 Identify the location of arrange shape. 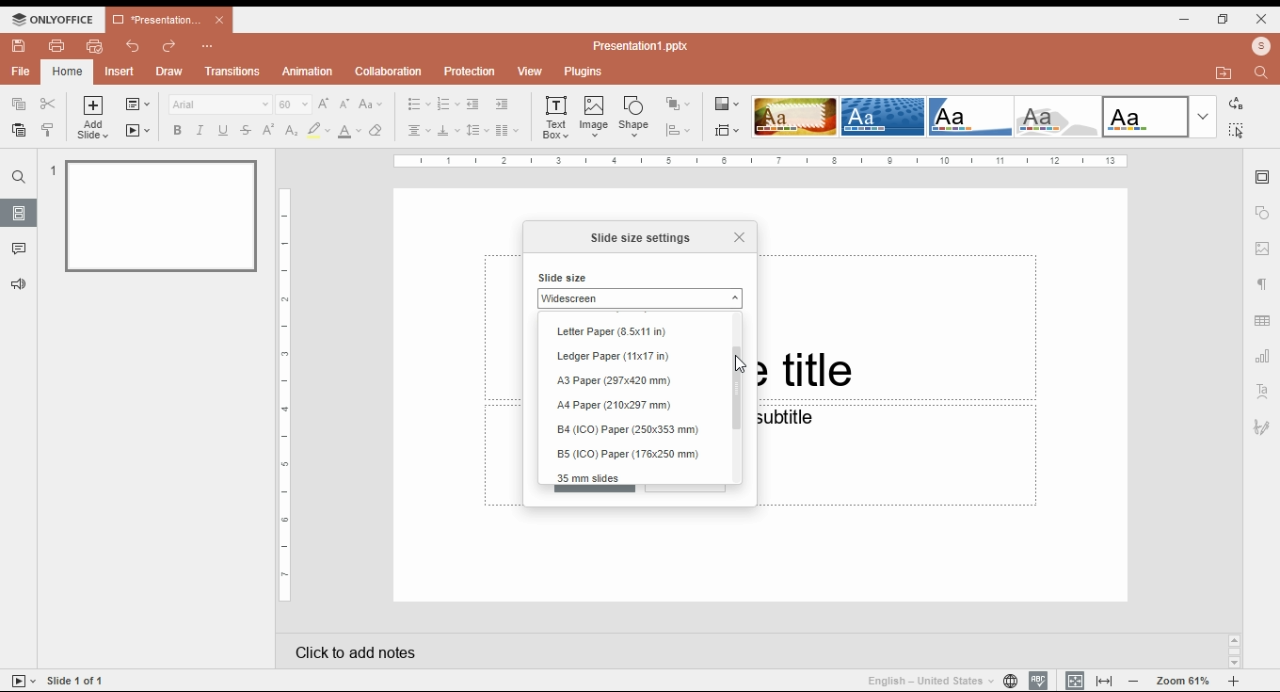
(677, 104).